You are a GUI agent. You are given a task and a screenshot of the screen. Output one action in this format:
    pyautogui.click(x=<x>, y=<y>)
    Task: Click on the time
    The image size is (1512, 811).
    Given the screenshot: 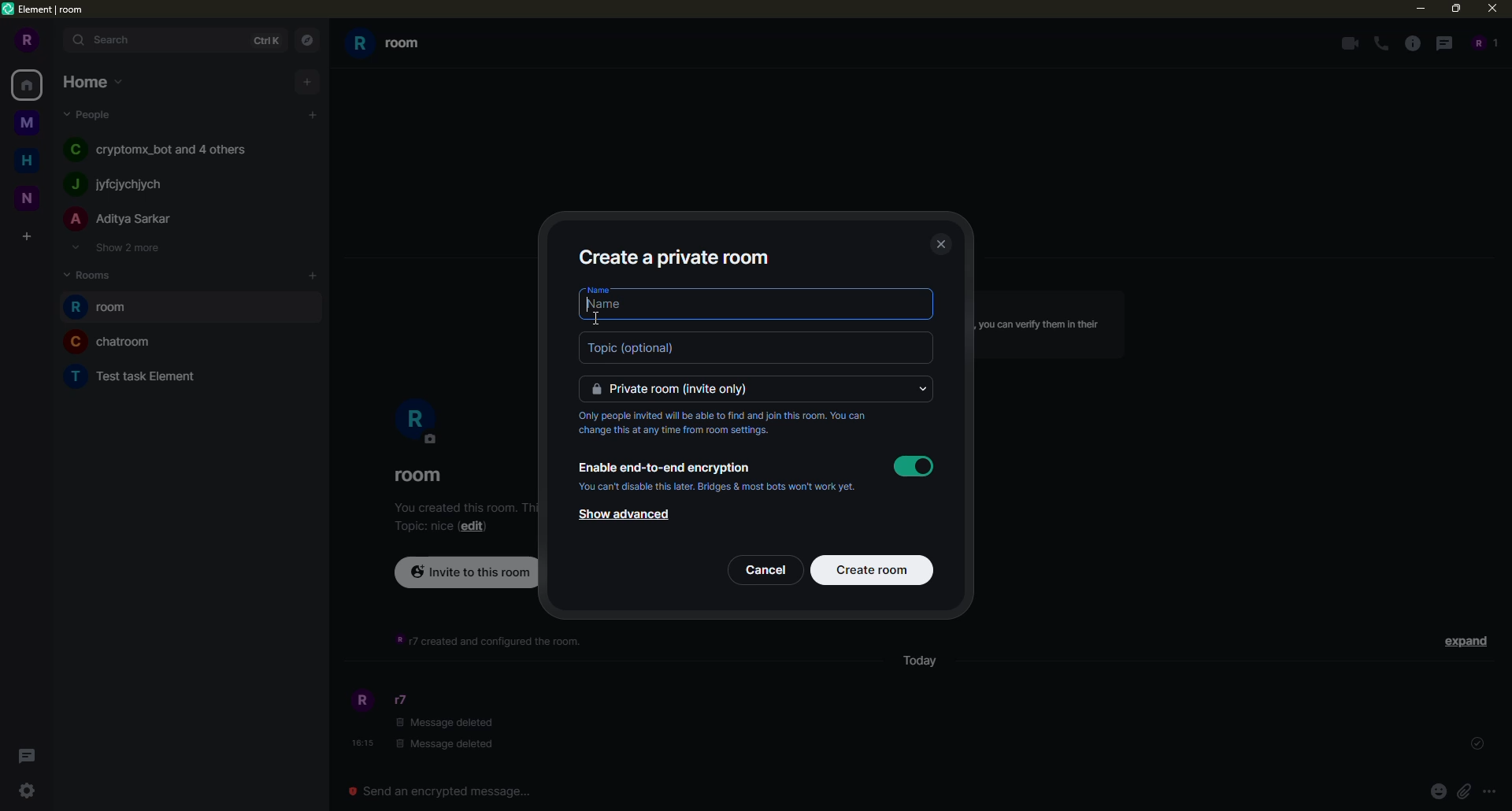 What is the action you would take?
    pyautogui.click(x=360, y=742)
    